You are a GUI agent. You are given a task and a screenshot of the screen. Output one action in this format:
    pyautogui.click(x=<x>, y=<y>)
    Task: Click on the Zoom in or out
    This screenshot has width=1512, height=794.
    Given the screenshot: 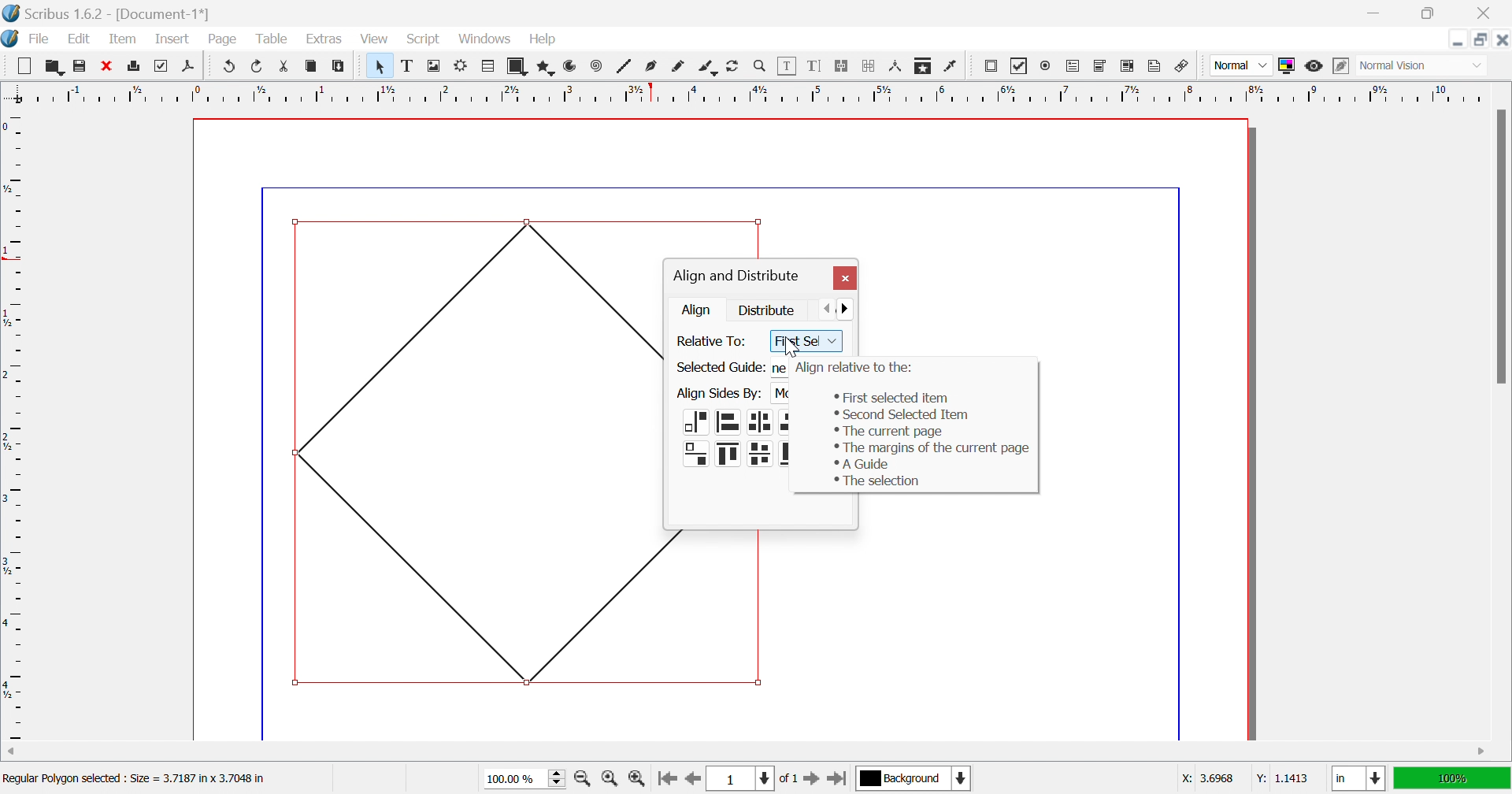 What is the action you would take?
    pyautogui.click(x=760, y=65)
    